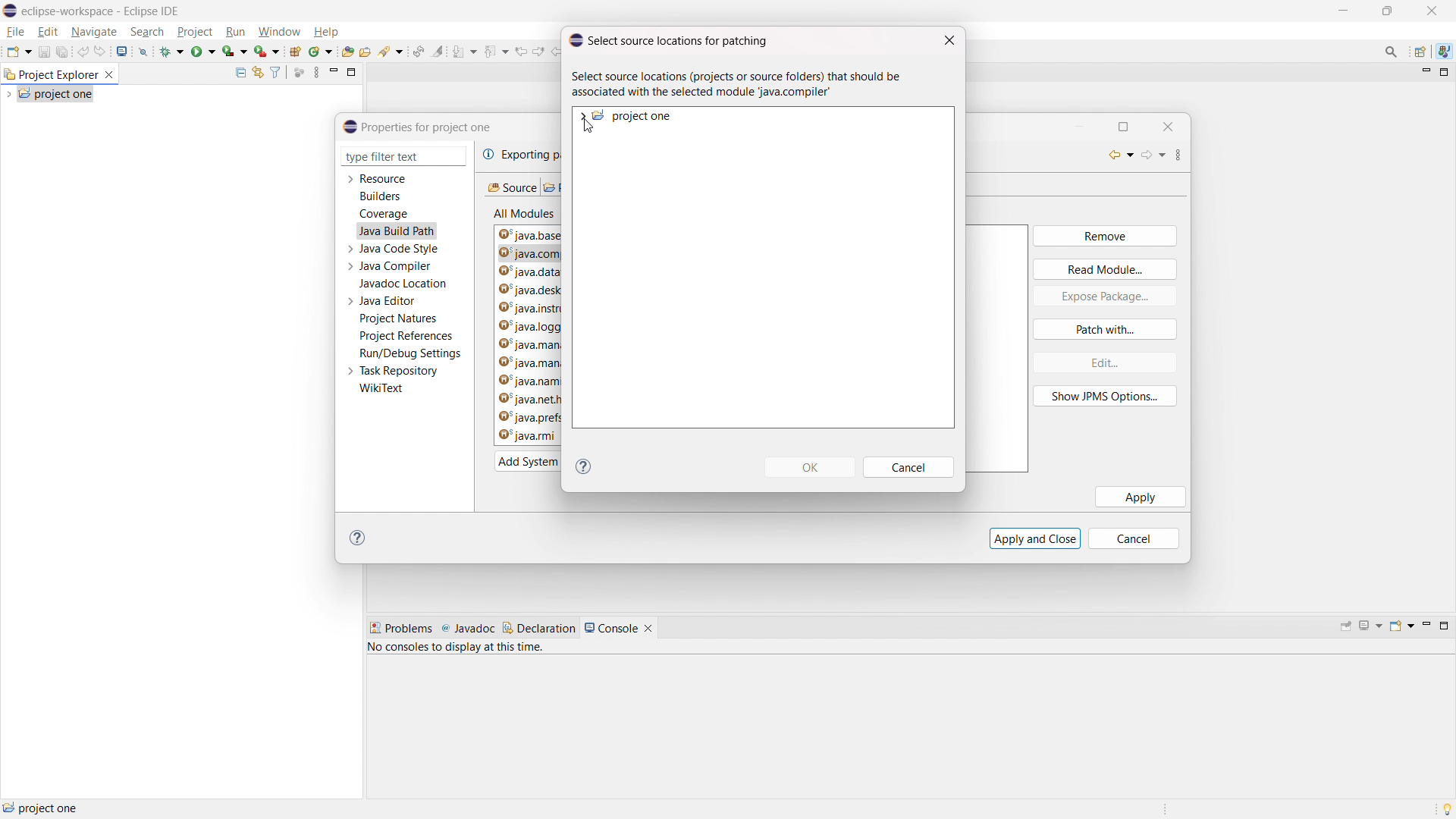  What do you see at coordinates (266, 52) in the screenshot?
I see `use last tool` at bounding box center [266, 52].